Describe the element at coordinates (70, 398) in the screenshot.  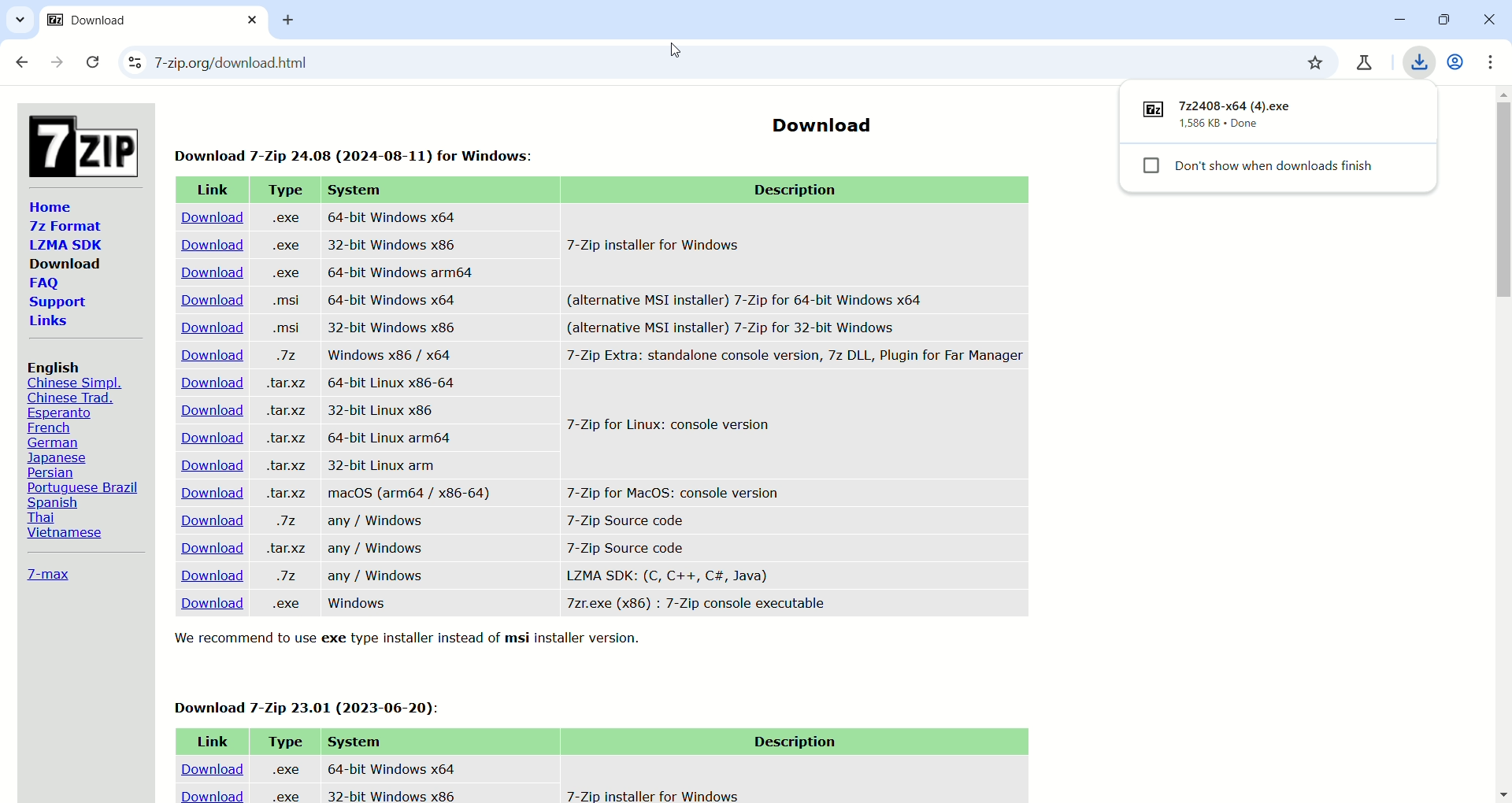
I see `Chinese lrad,` at that location.